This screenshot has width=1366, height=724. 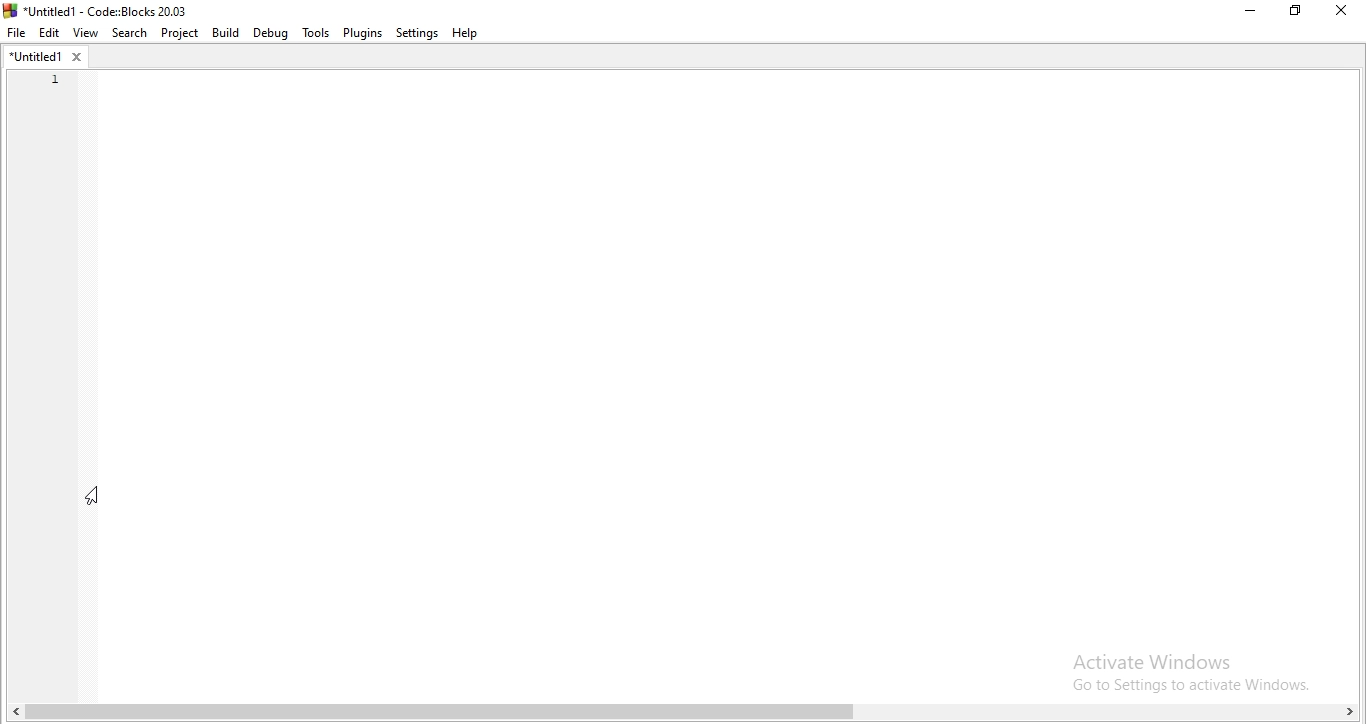 I want to click on Plugins , so click(x=363, y=33).